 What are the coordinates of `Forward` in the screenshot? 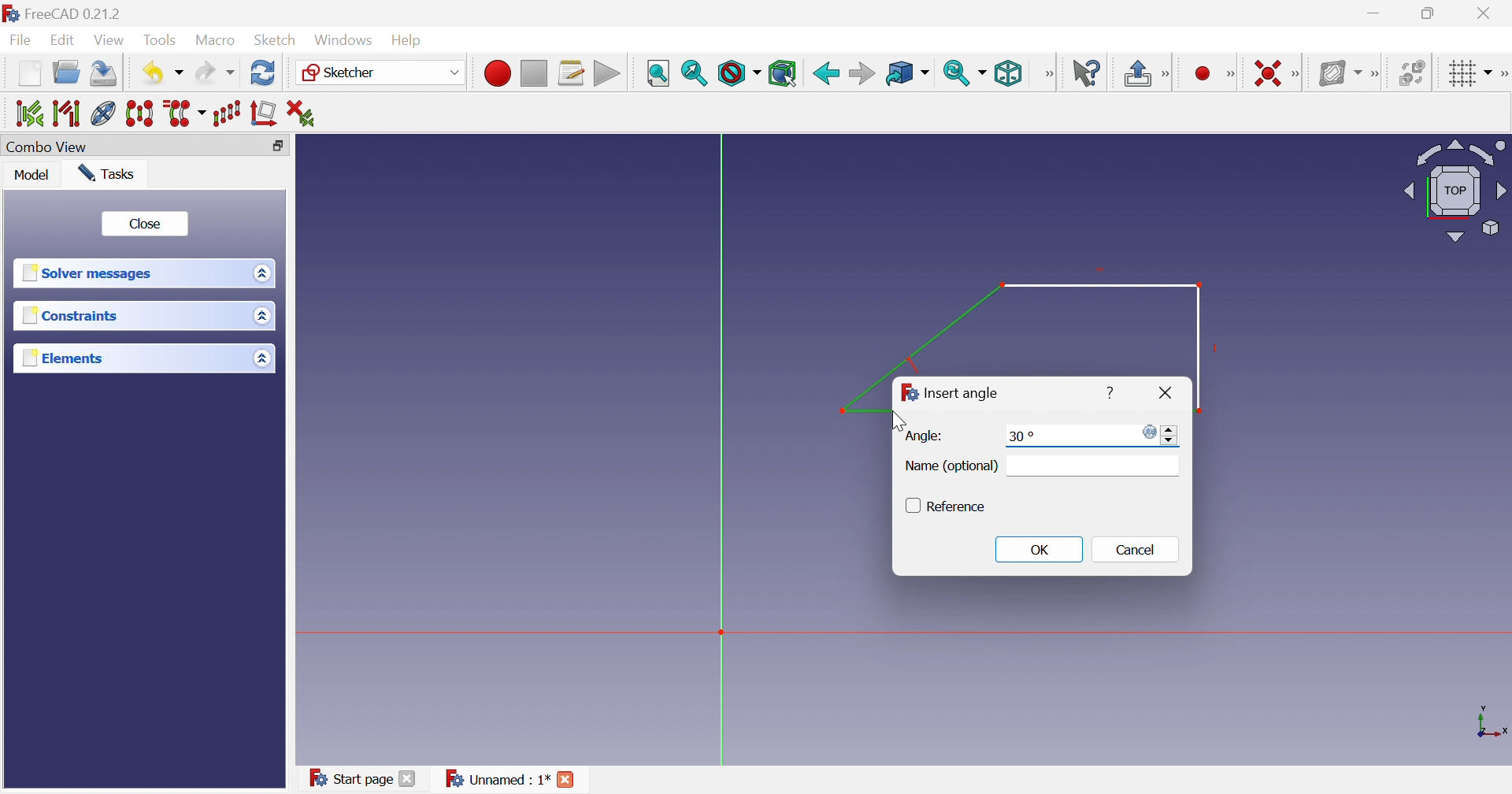 It's located at (862, 72).